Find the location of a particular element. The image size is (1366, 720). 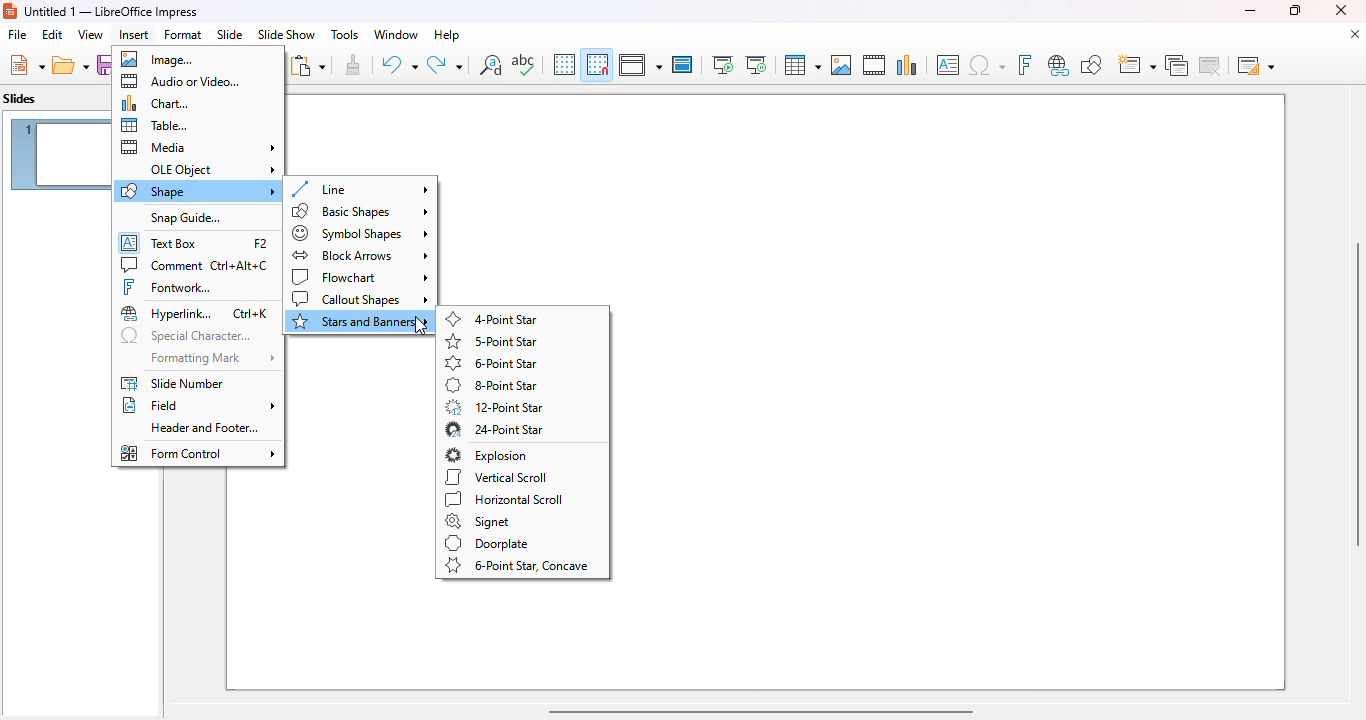

basic shapes is located at coordinates (361, 211).